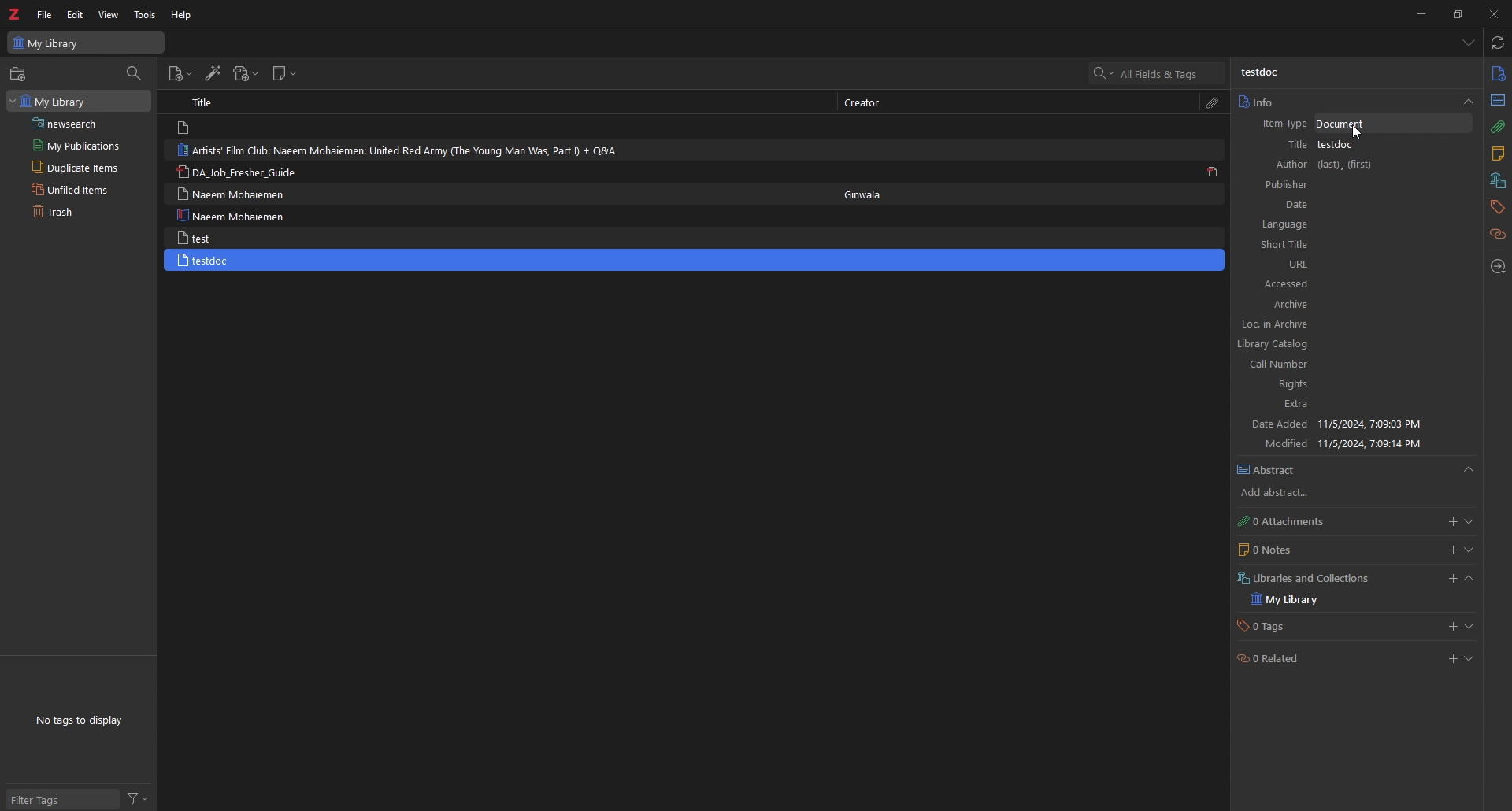 This screenshot has height=811, width=1512. Describe the element at coordinates (864, 194) in the screenshot. I see `Ginwala` at that location.